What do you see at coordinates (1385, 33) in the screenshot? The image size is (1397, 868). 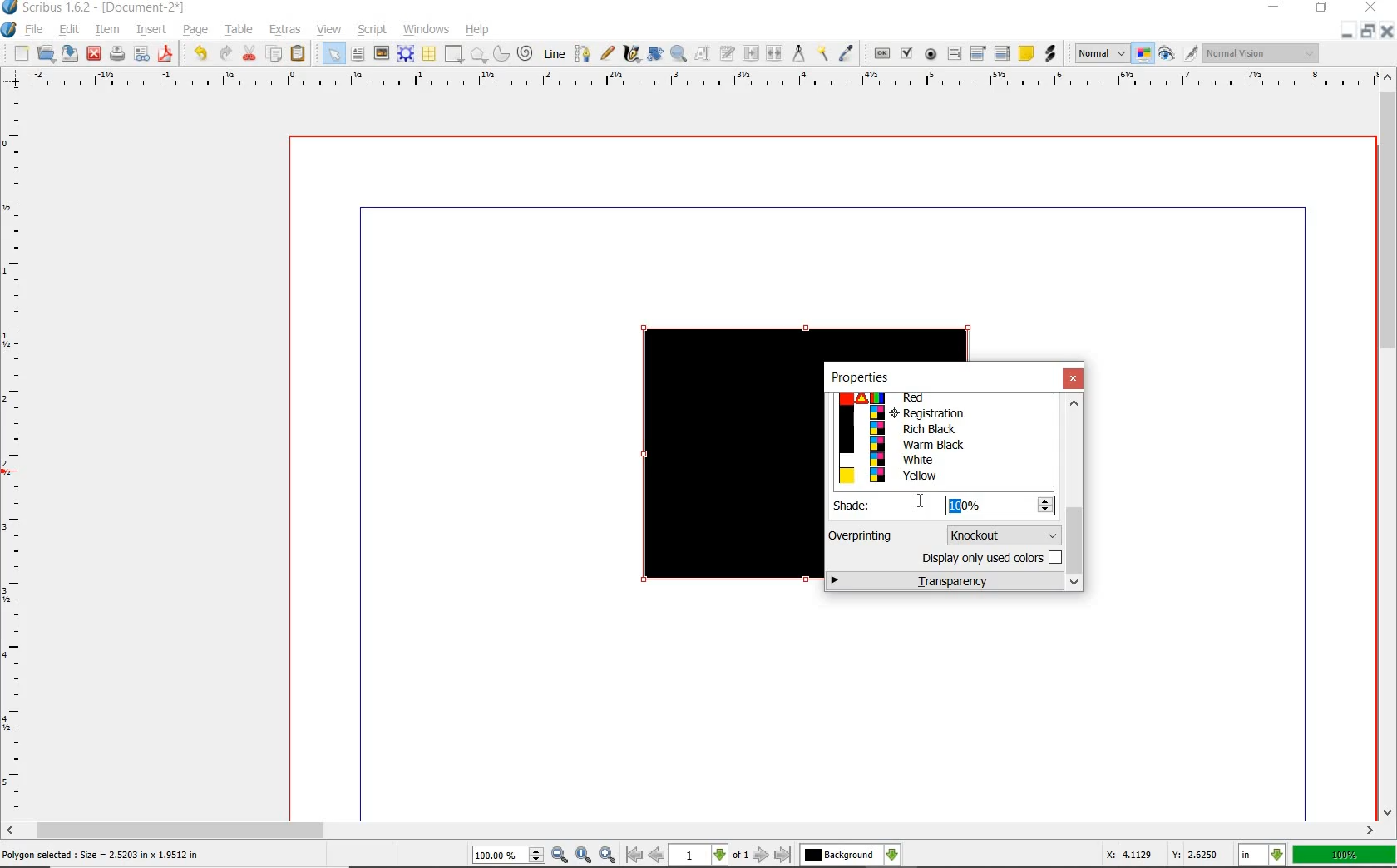 I see `CLOSE` at bounding box center [1385, 33].